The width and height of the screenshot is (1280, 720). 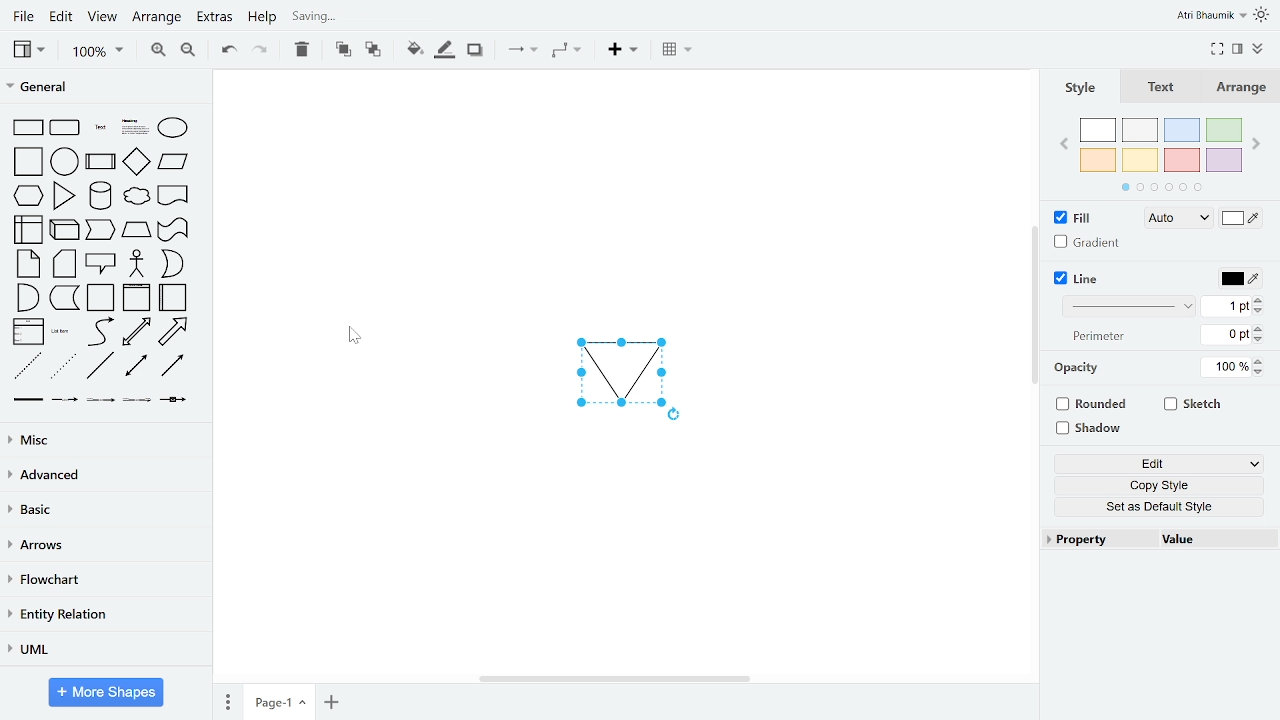 I want to click on extras, so click(x=214, y=18).